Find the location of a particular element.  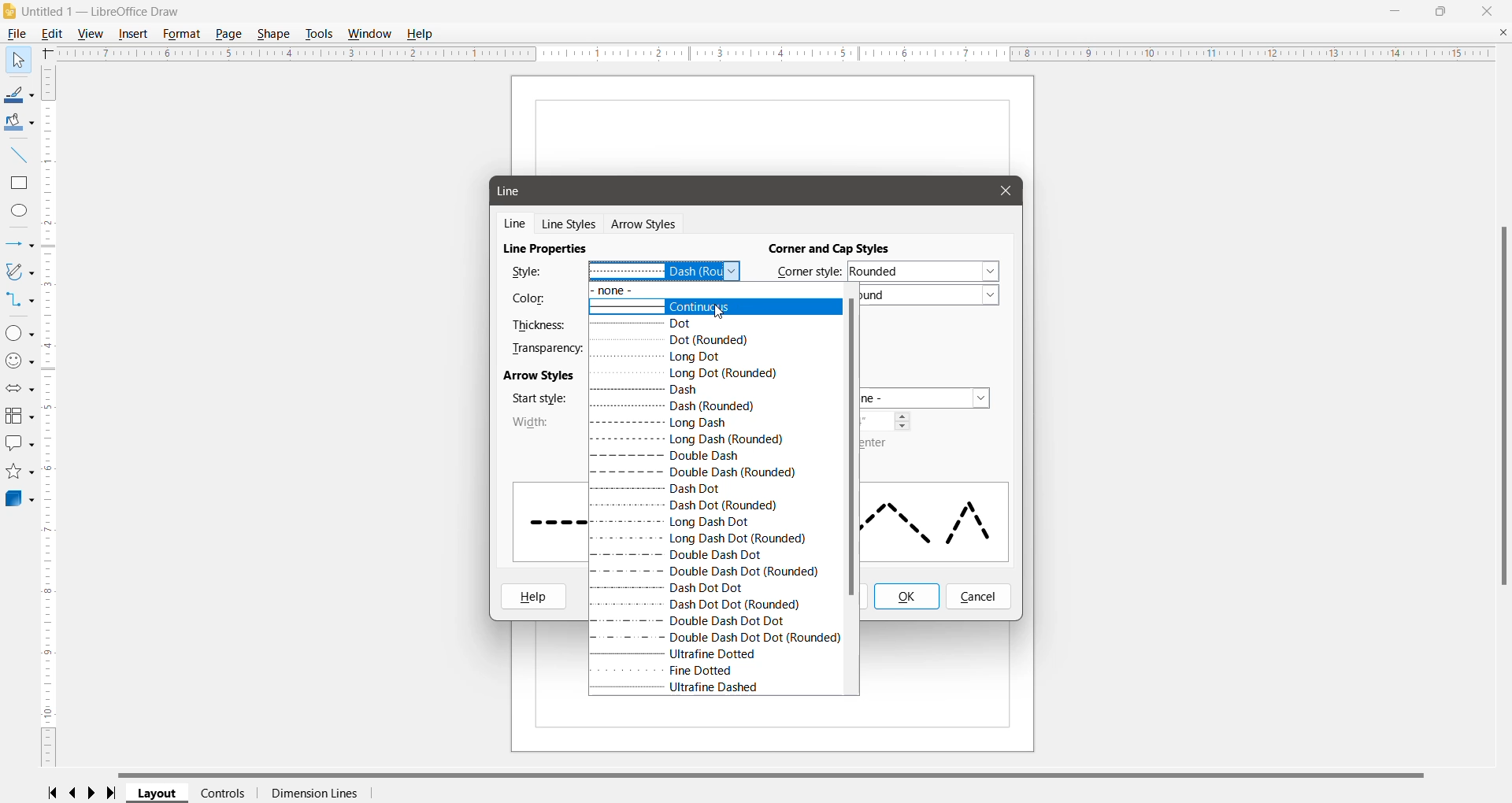

Help is located at coordinates (533, 598).